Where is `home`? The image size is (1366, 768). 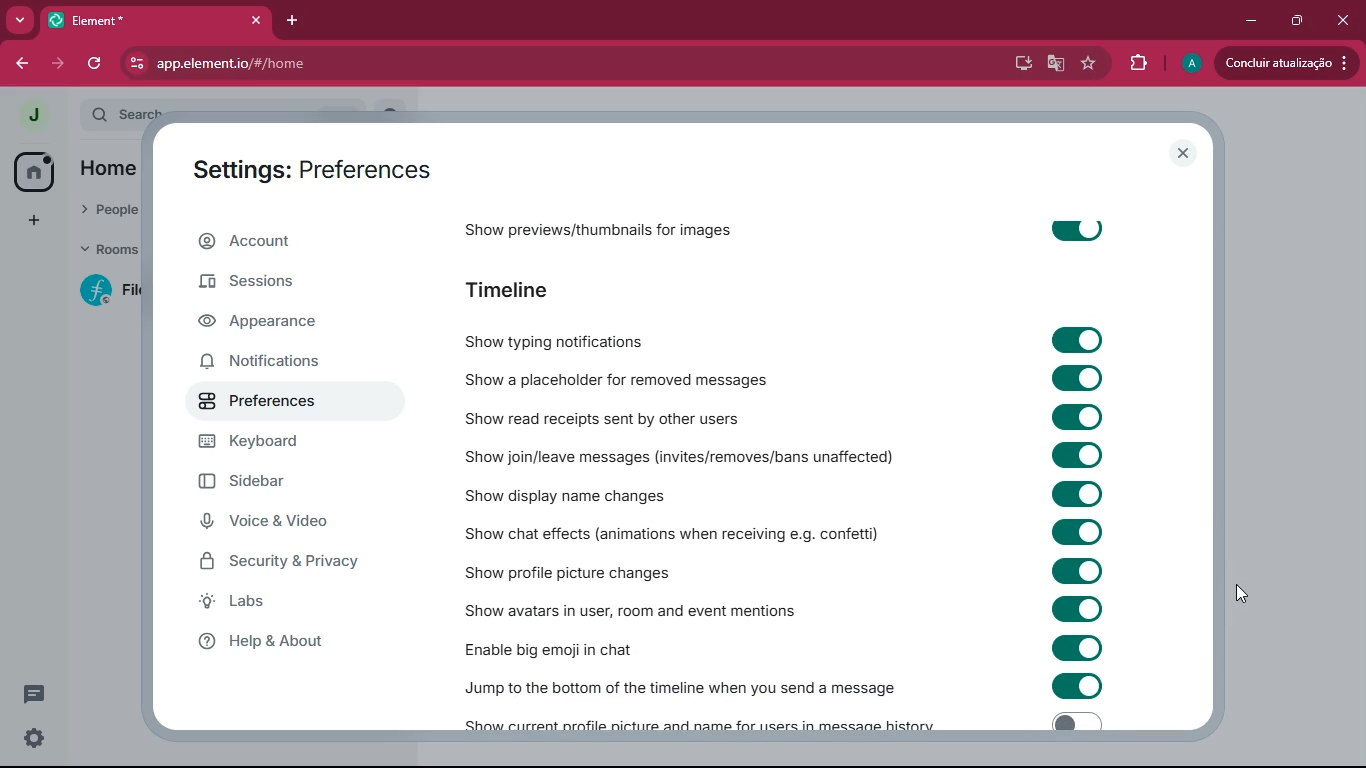
home is located at coordinates (107, 173).